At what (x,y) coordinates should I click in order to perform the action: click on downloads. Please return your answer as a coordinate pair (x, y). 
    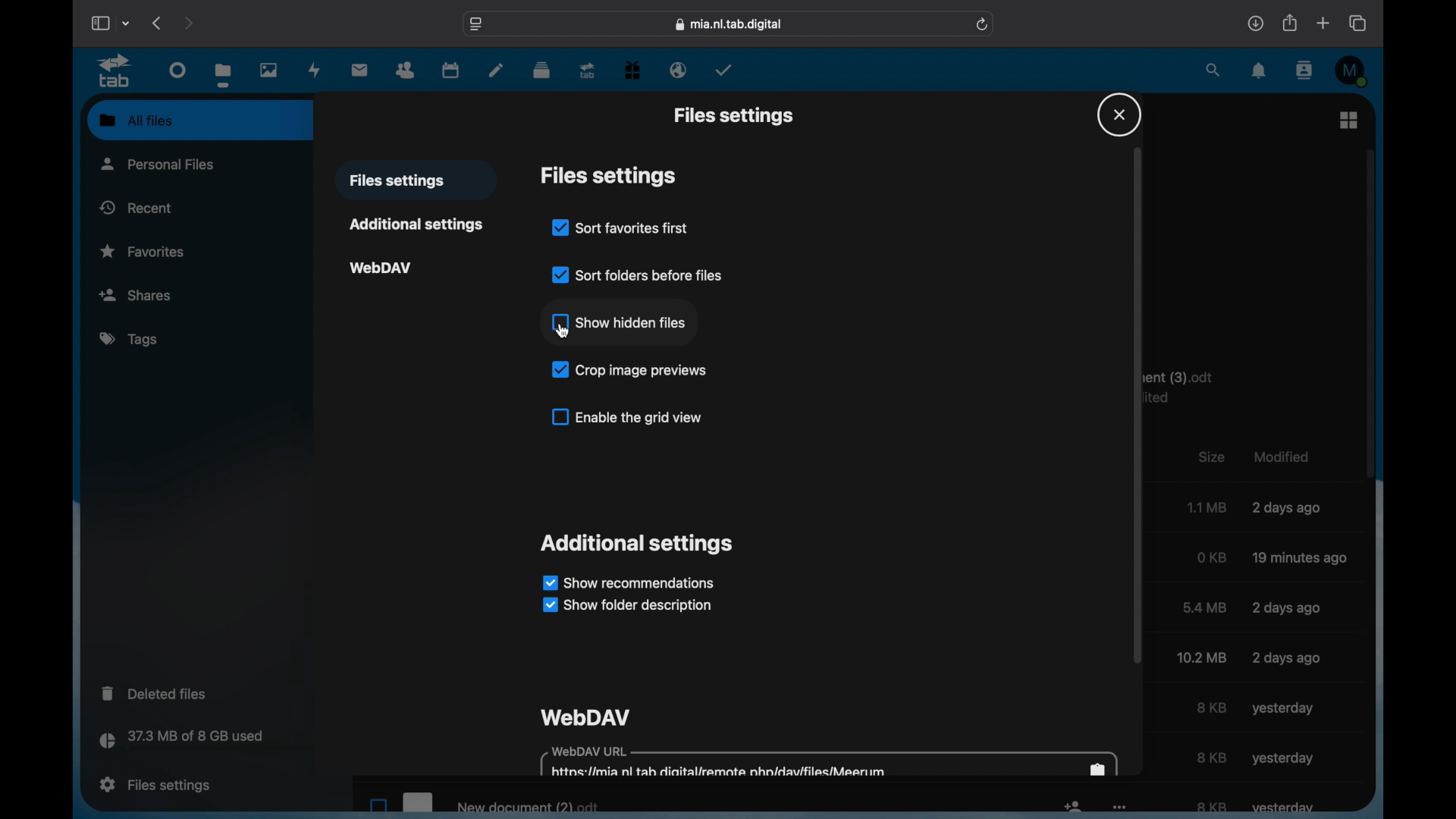
    Looking at the image, I should click on (1255, 23).